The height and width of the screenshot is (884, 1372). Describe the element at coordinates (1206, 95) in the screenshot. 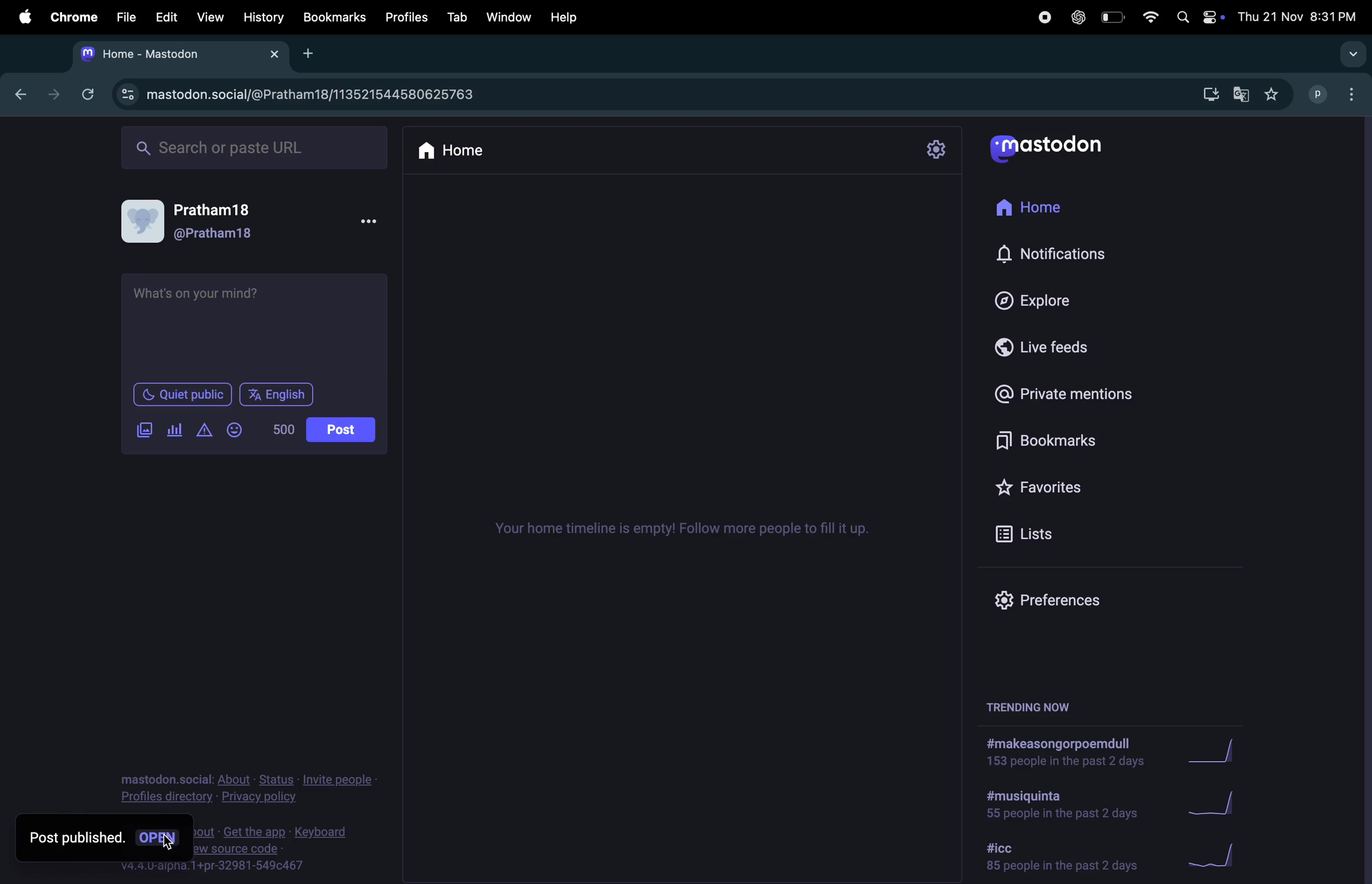

I see `downloads` at that location.